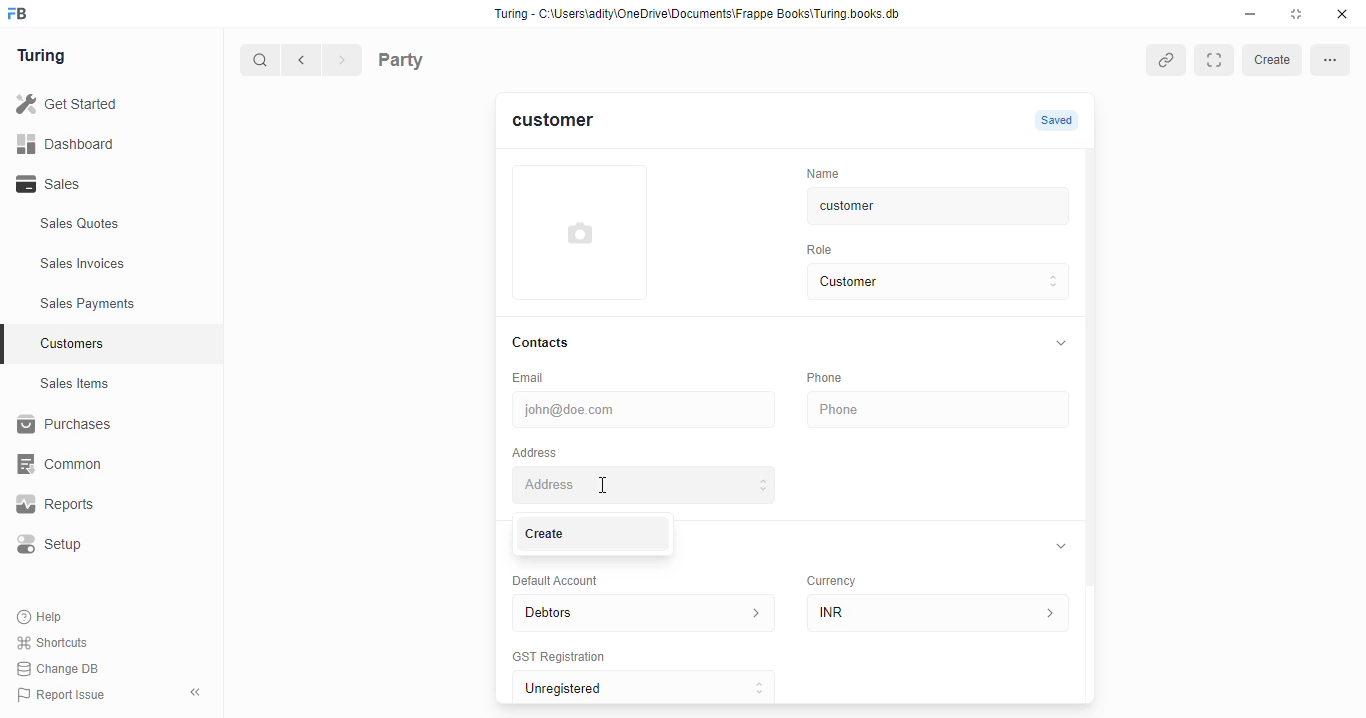 The width and height of the screenshot is (1366, 718). What do you see at coordinates (641, 408) in the screenshot?
I see `john@doe.com` at bounding box center [641, 408].